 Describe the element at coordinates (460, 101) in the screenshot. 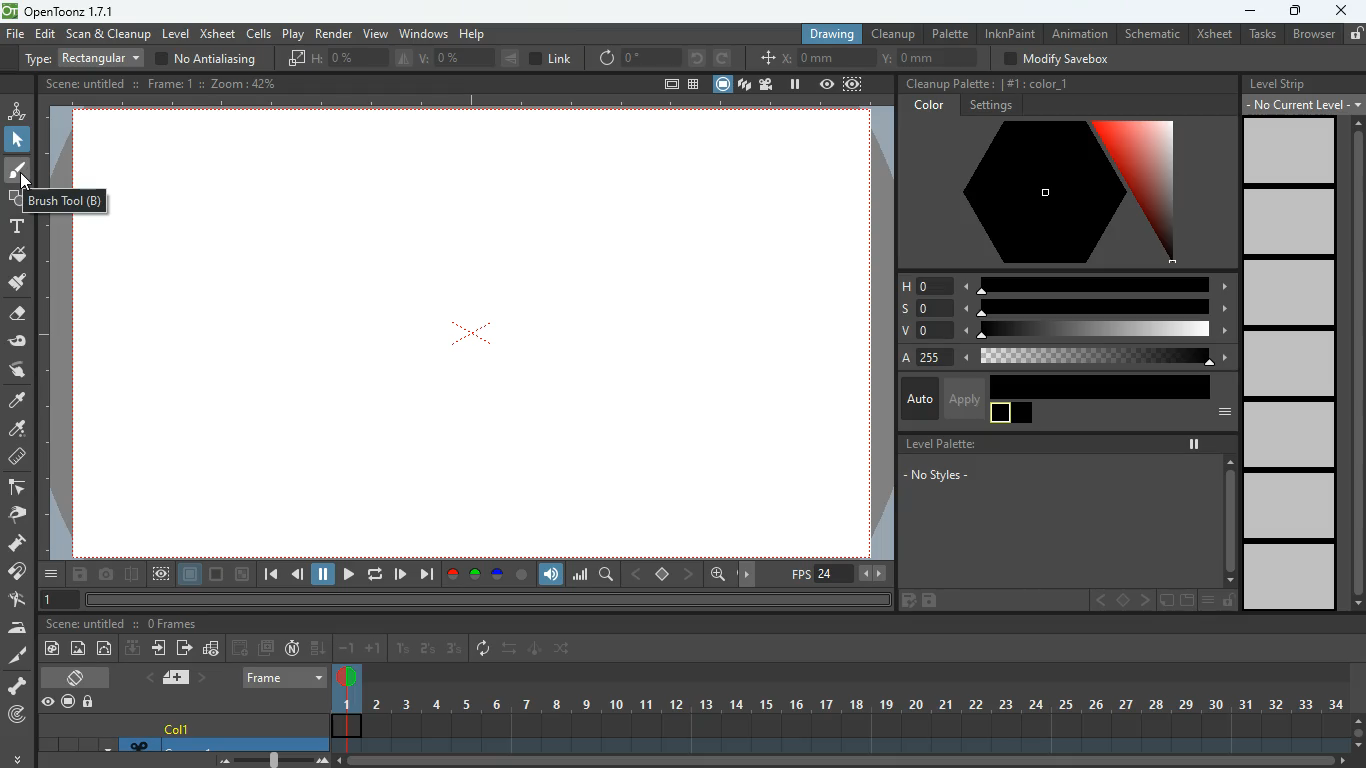

I see `horizontal scale` at that location.